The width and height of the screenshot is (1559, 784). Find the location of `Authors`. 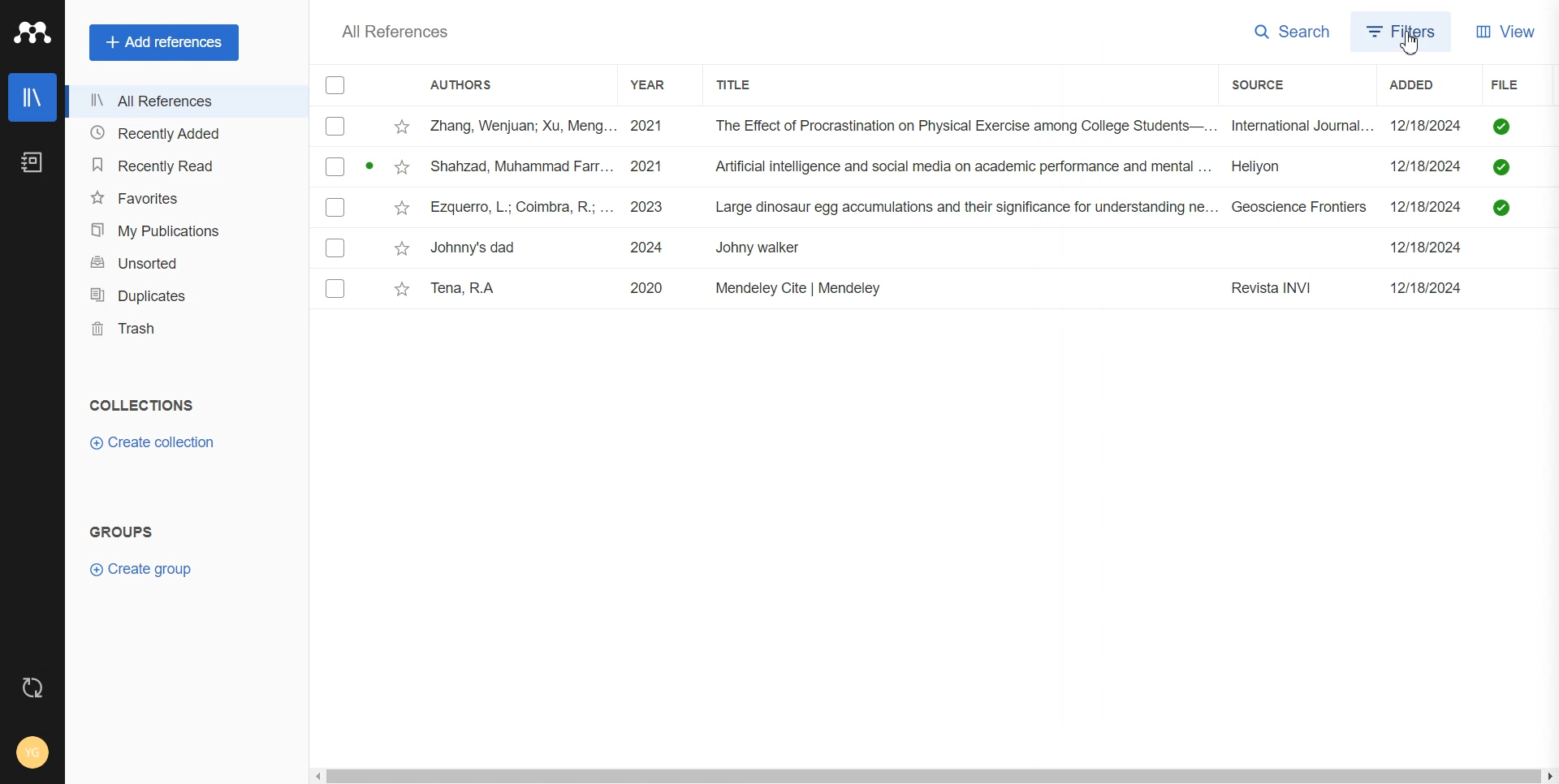

Authors is located at coordinates (470, 84).